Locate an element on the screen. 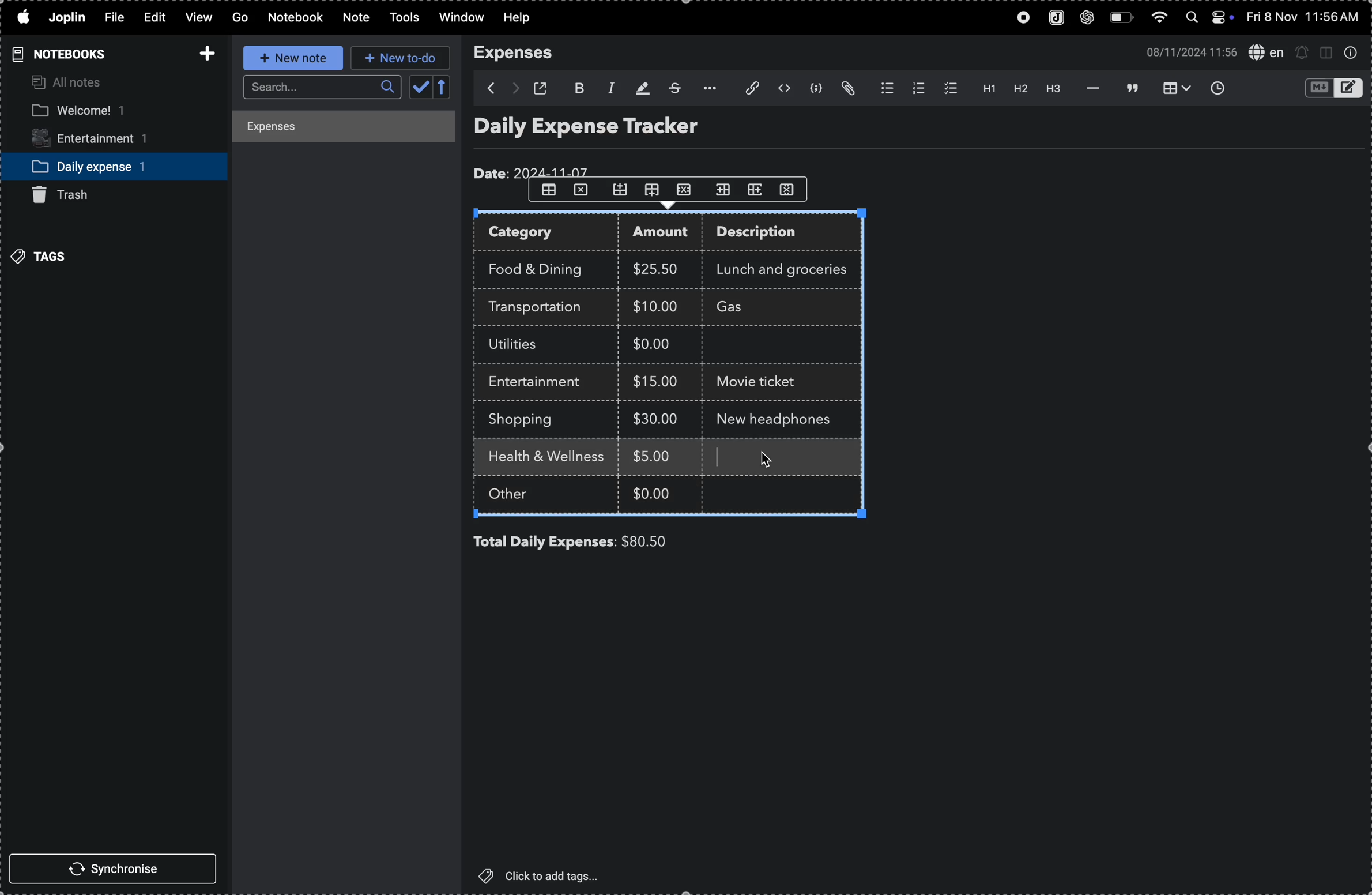  entertainment is located at coordinates (541, 382).